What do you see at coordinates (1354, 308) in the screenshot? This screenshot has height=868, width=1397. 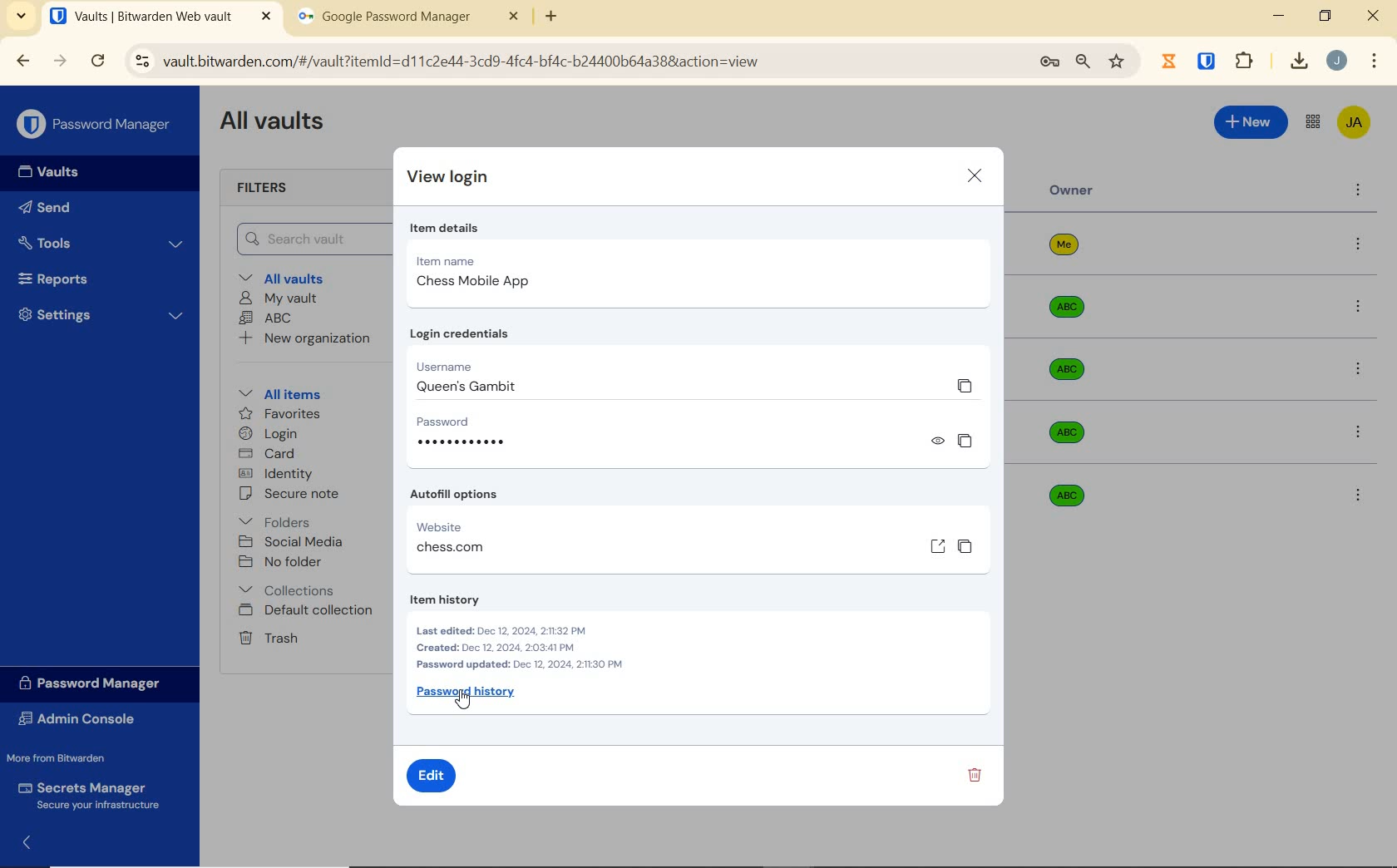 I see `more options` at bounding box center [1354, 308].